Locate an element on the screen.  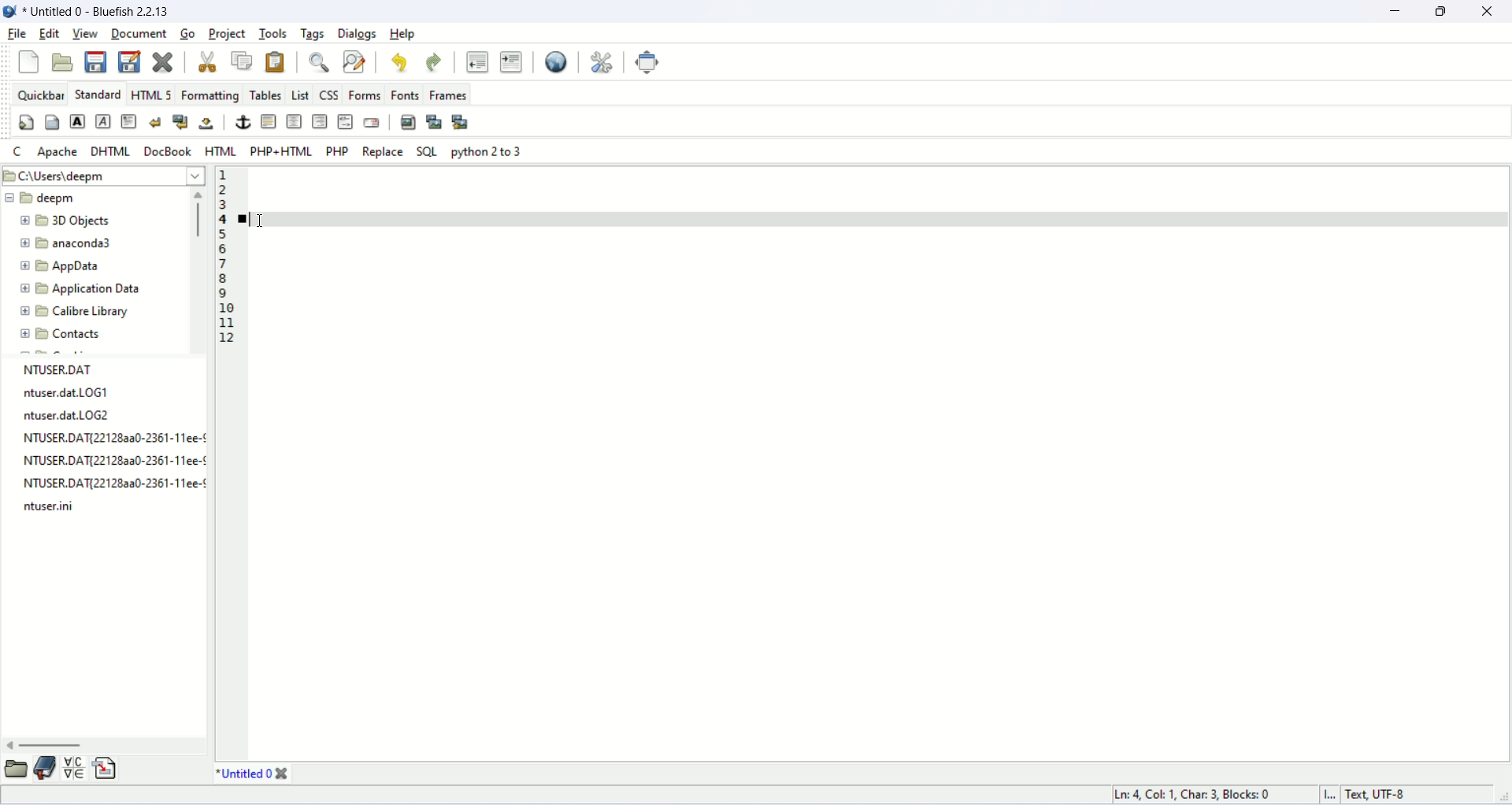
document is located at coordinates (139, 33).